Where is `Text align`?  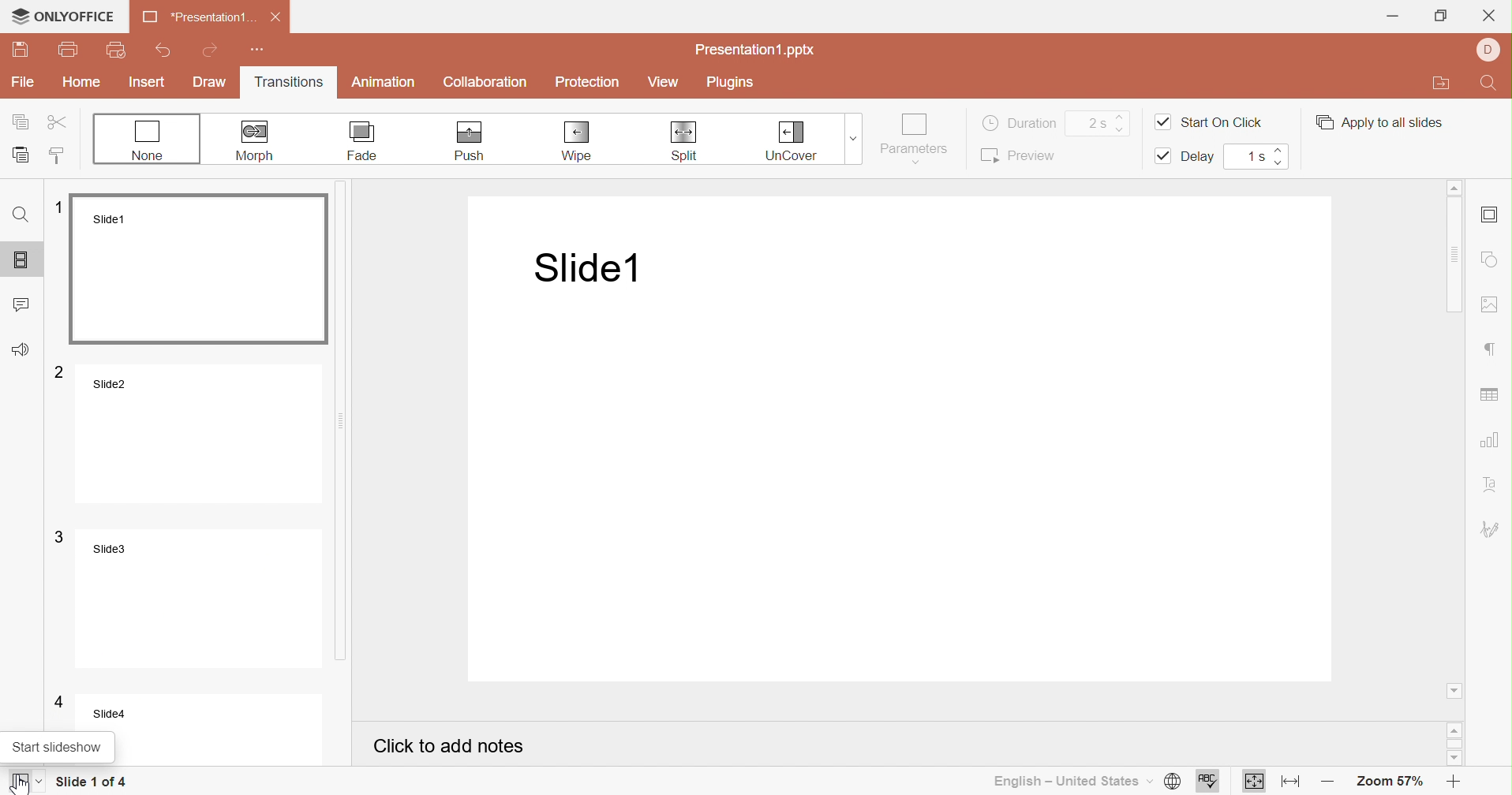 Text align is located at coordinates (1493, 483).